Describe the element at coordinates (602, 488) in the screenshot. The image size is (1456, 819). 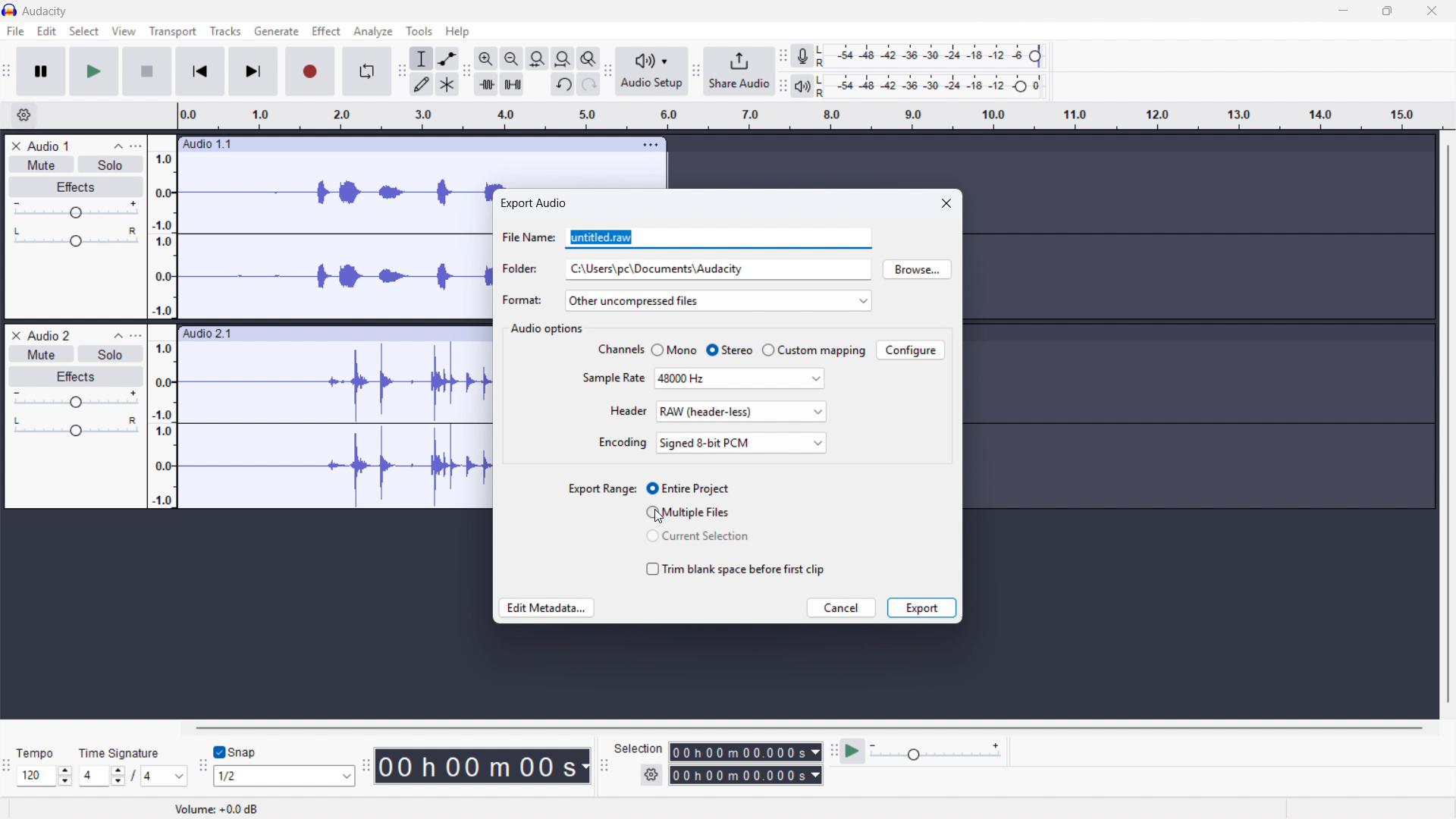
I see `export range` at that location.